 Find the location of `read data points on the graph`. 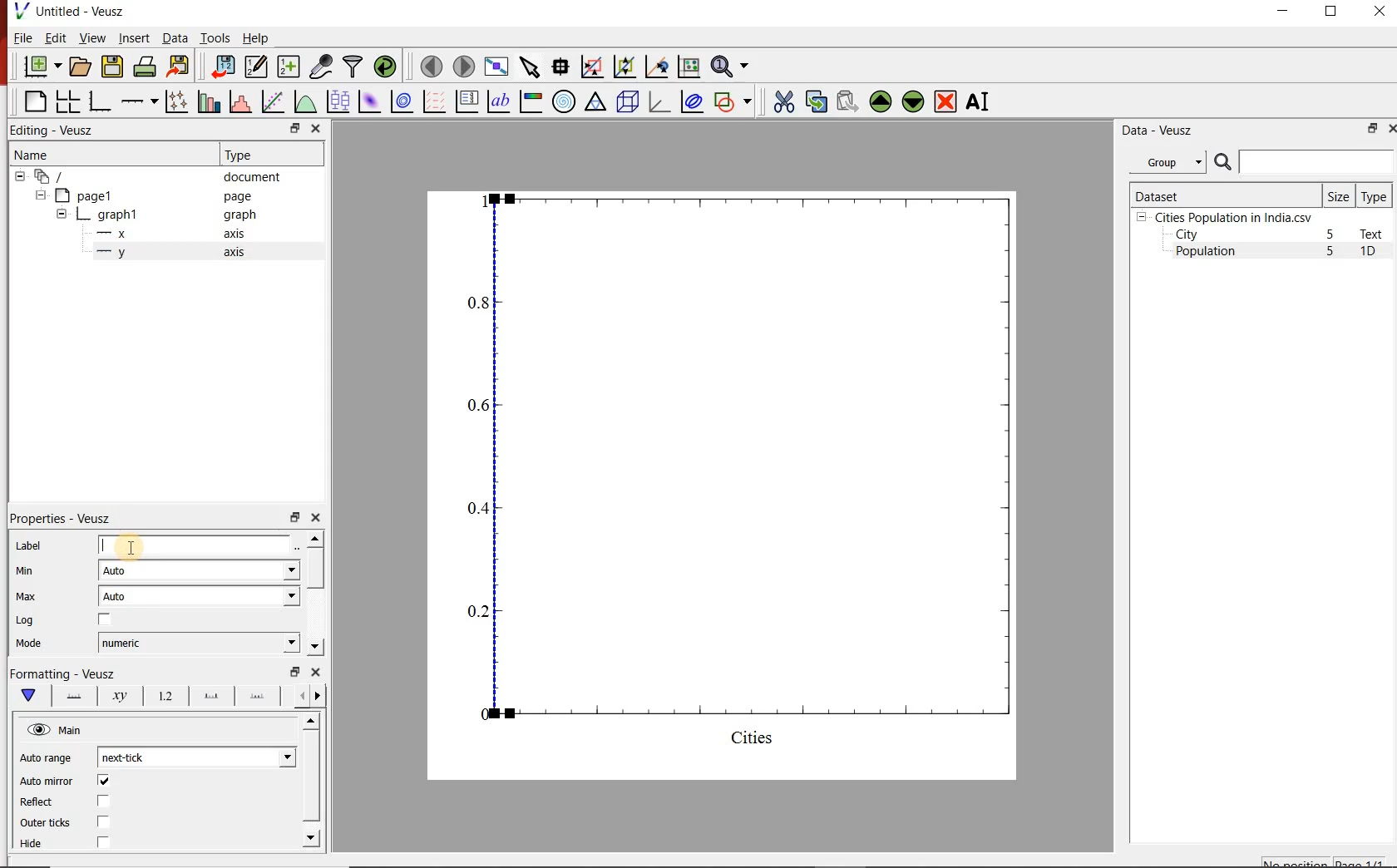

read data points on the graph is located at coordinates (560, 65).